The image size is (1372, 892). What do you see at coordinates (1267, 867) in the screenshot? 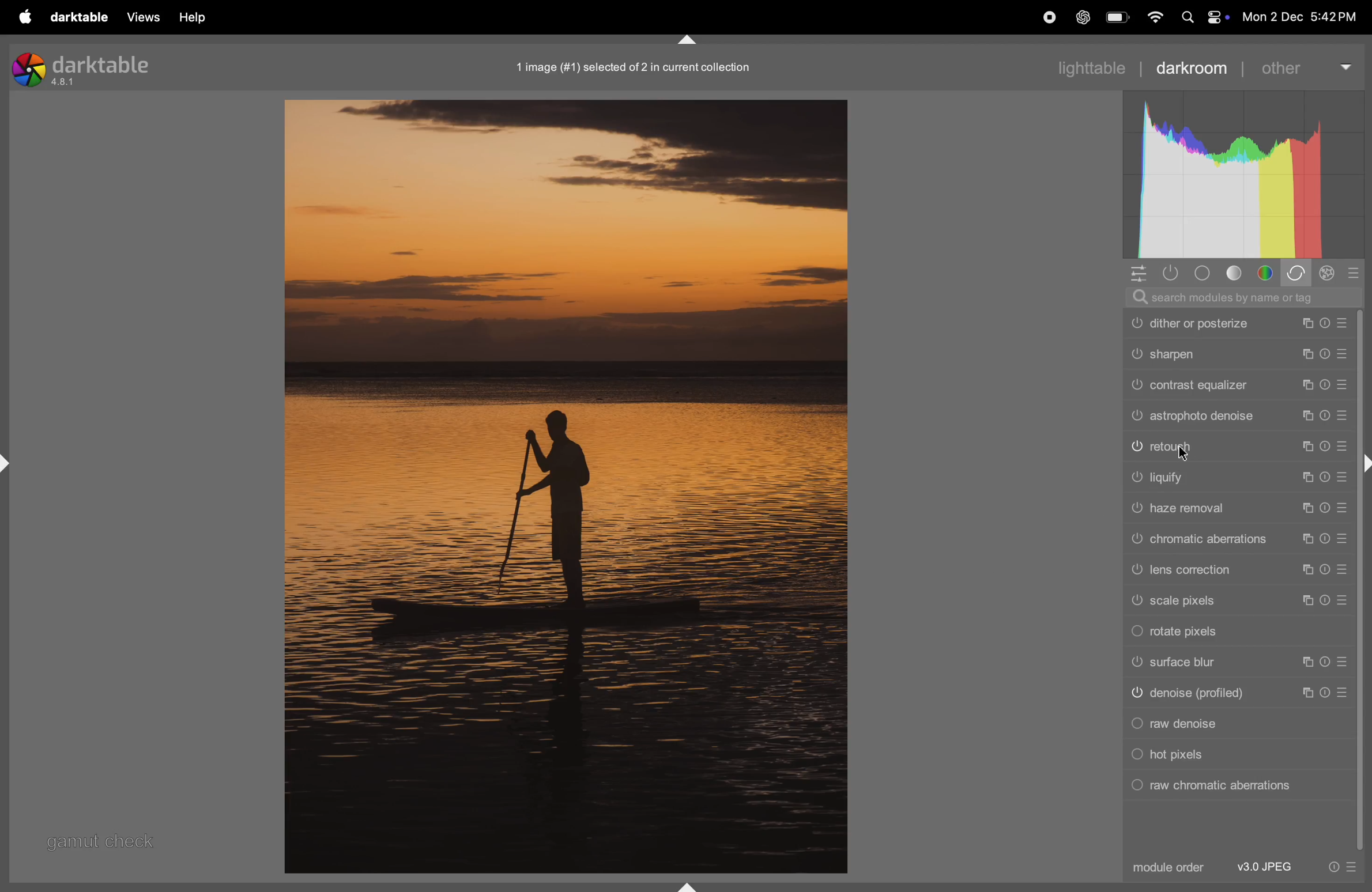
I see `v3 jpeg` at bounding box center [1267, 867].